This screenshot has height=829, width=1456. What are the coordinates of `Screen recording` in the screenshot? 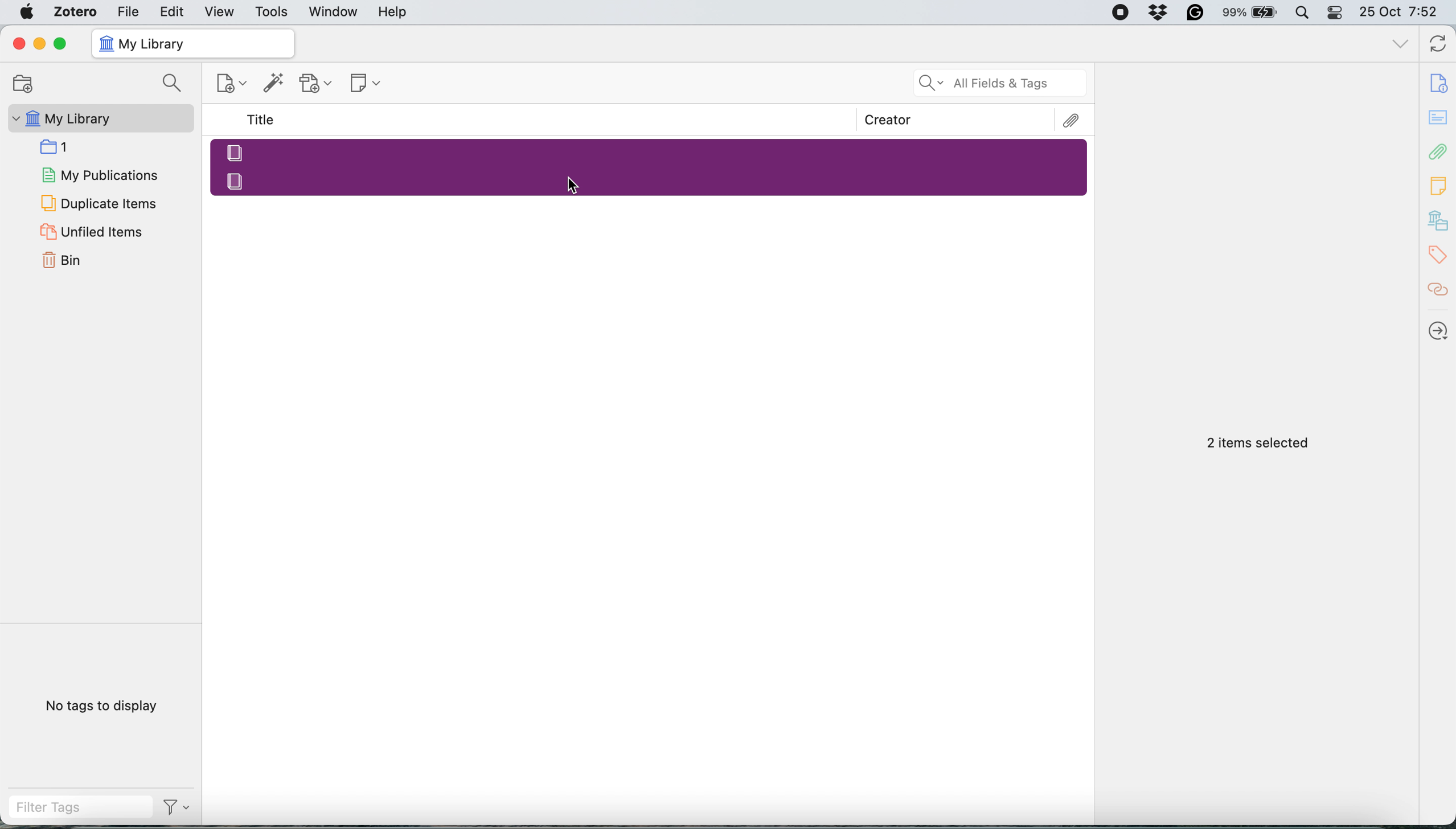 It's located at (1119, 13).